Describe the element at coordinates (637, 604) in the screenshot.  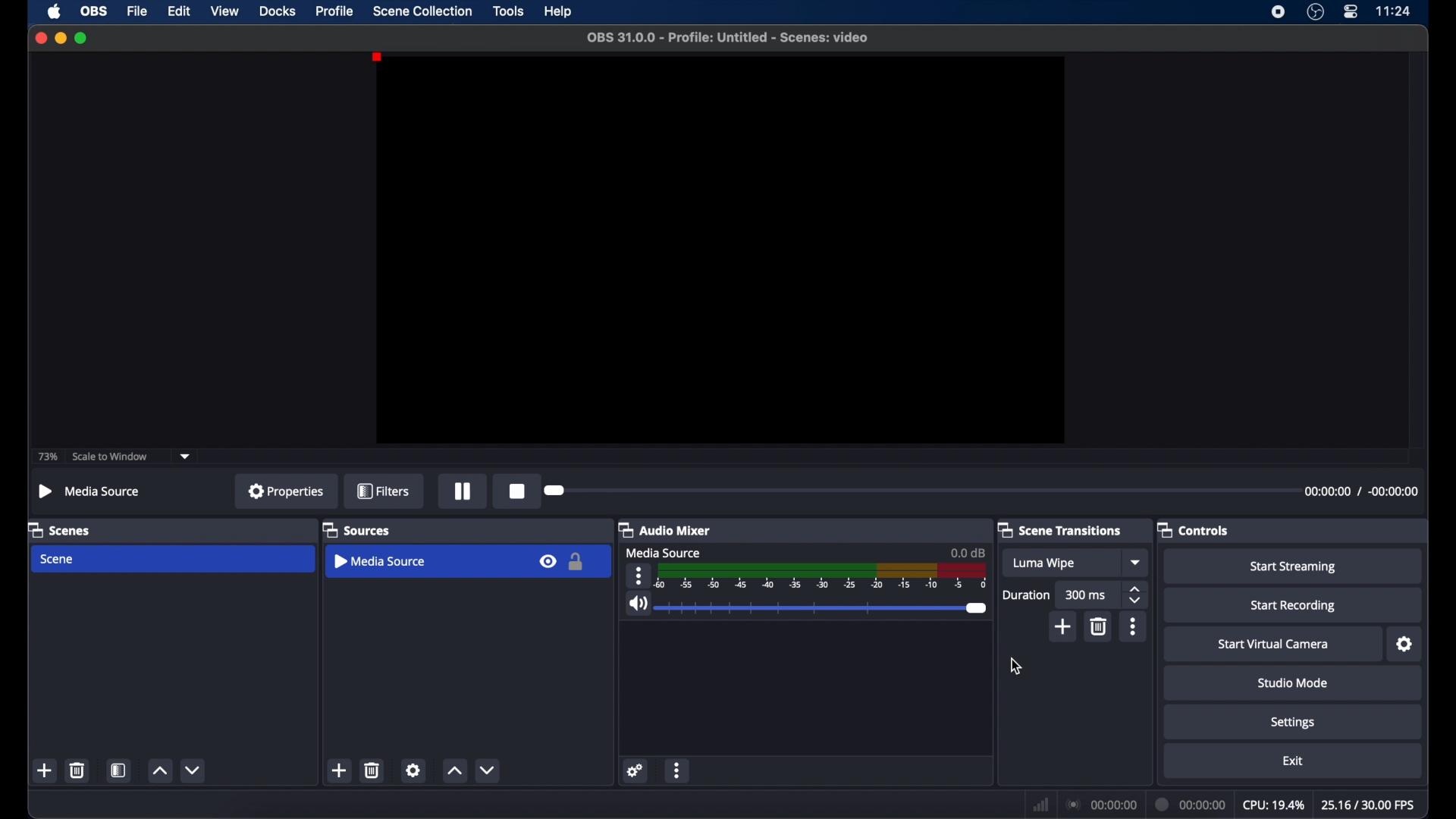
I see `volume` at that location.